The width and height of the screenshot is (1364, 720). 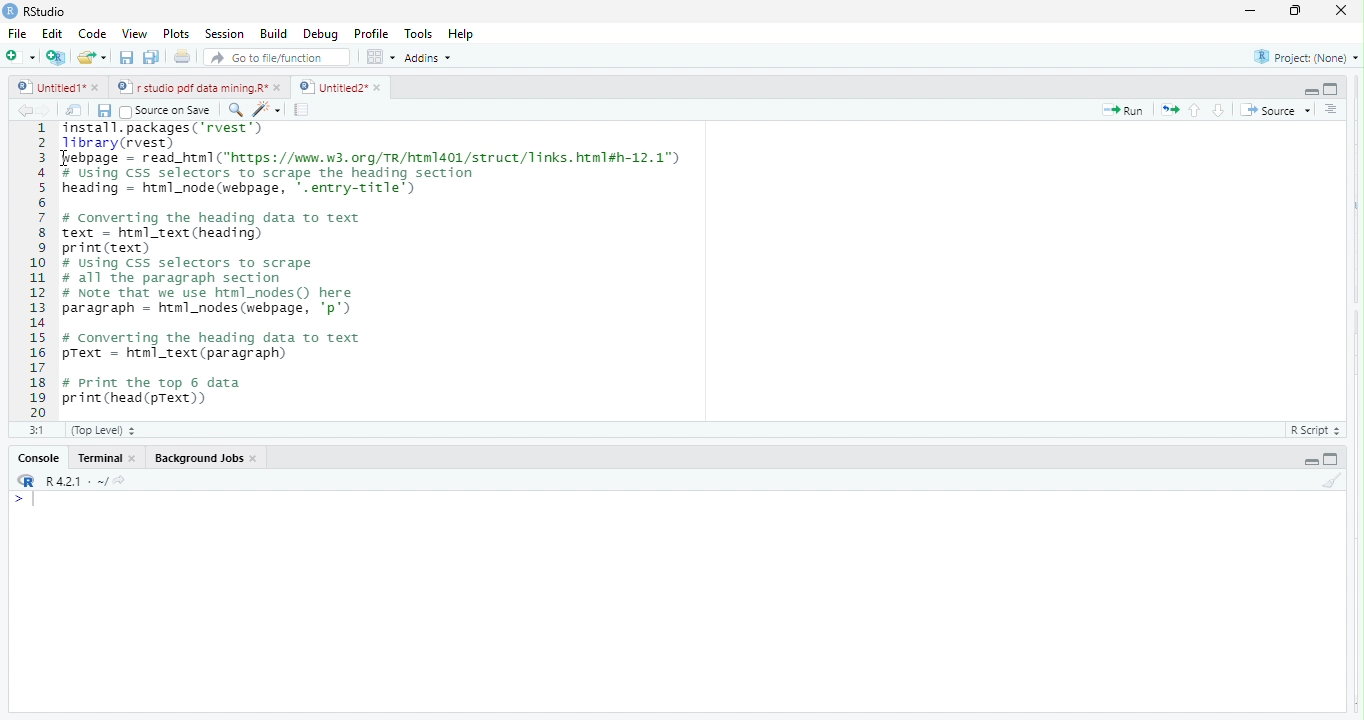 I want to click on Debug, so click(x=321, y=35).